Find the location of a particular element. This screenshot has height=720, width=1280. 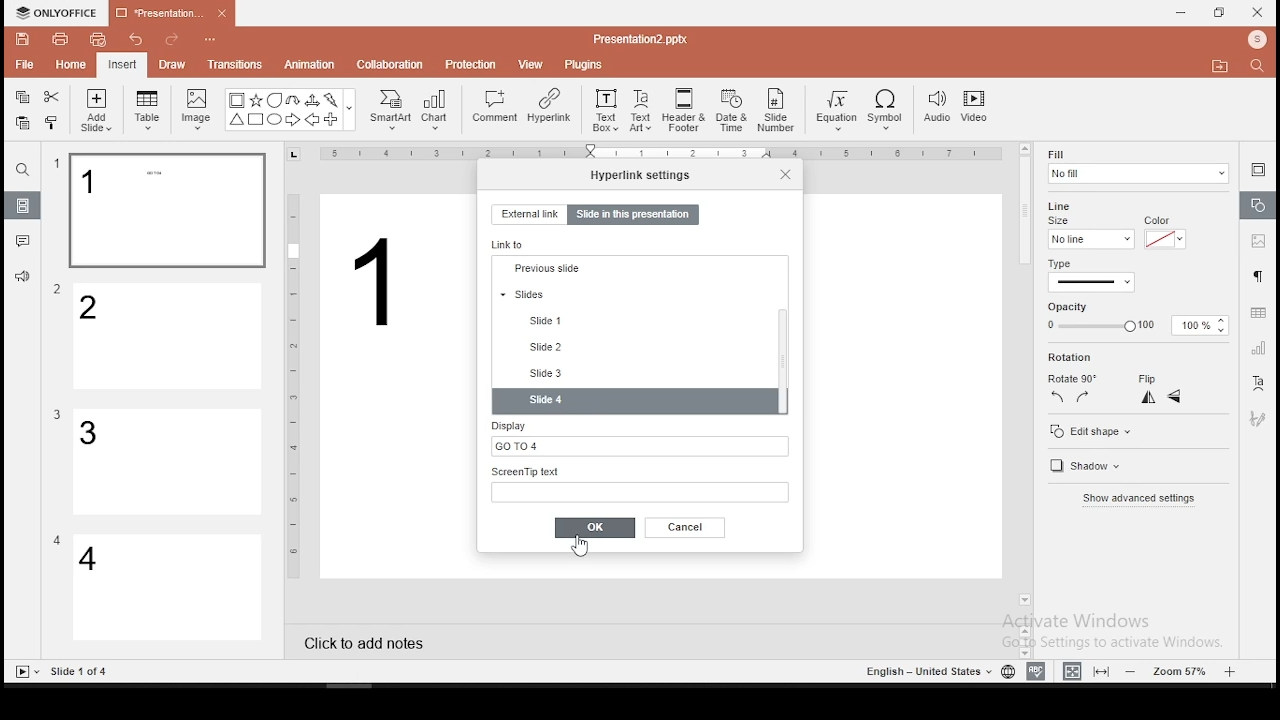

previous slide is located at coordinates (633, 347).